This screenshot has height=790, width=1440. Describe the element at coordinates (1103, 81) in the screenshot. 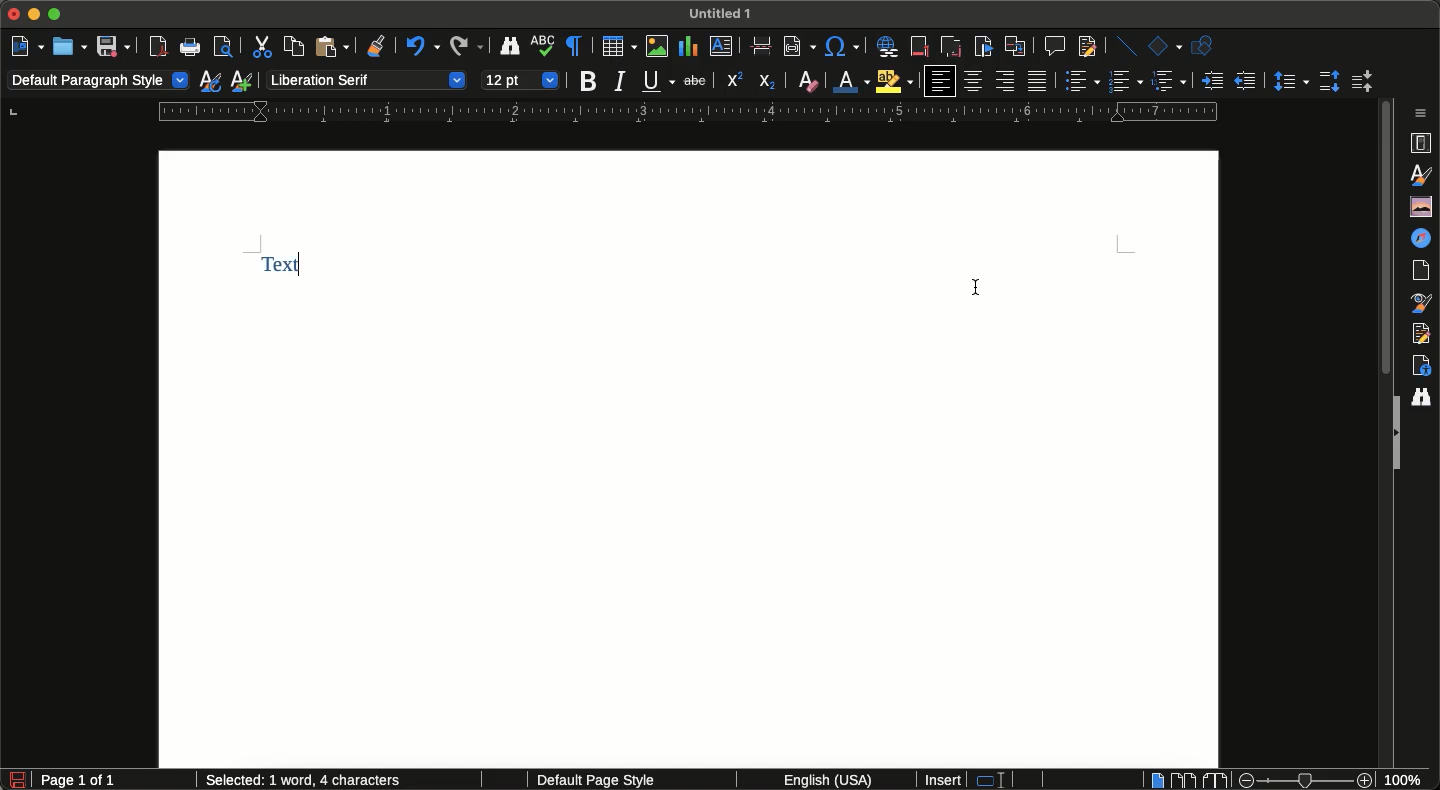

I see `Toggle ordered list` at that location.